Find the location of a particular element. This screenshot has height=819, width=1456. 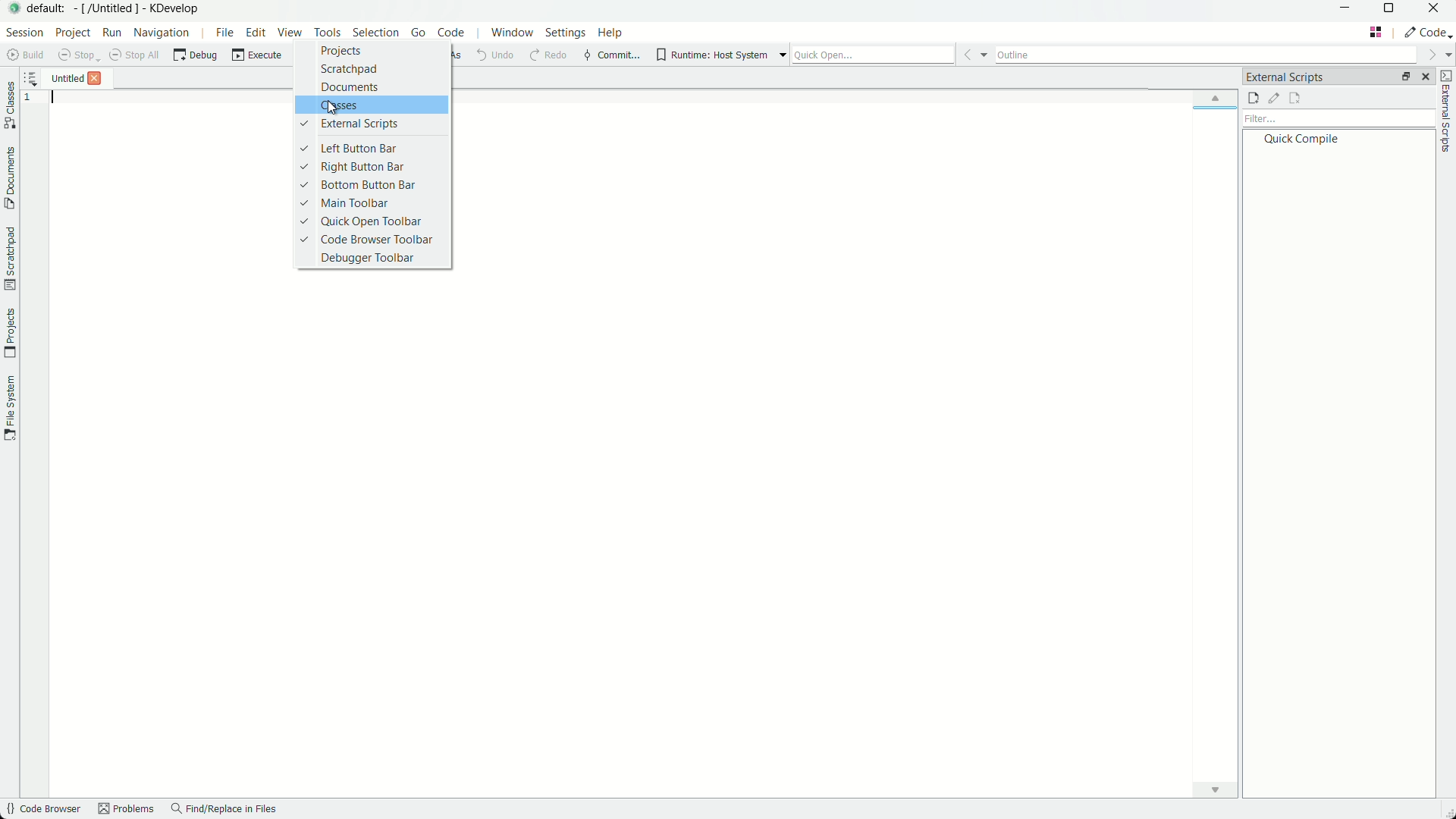

quick compile is located at coordinates (1300, 140).